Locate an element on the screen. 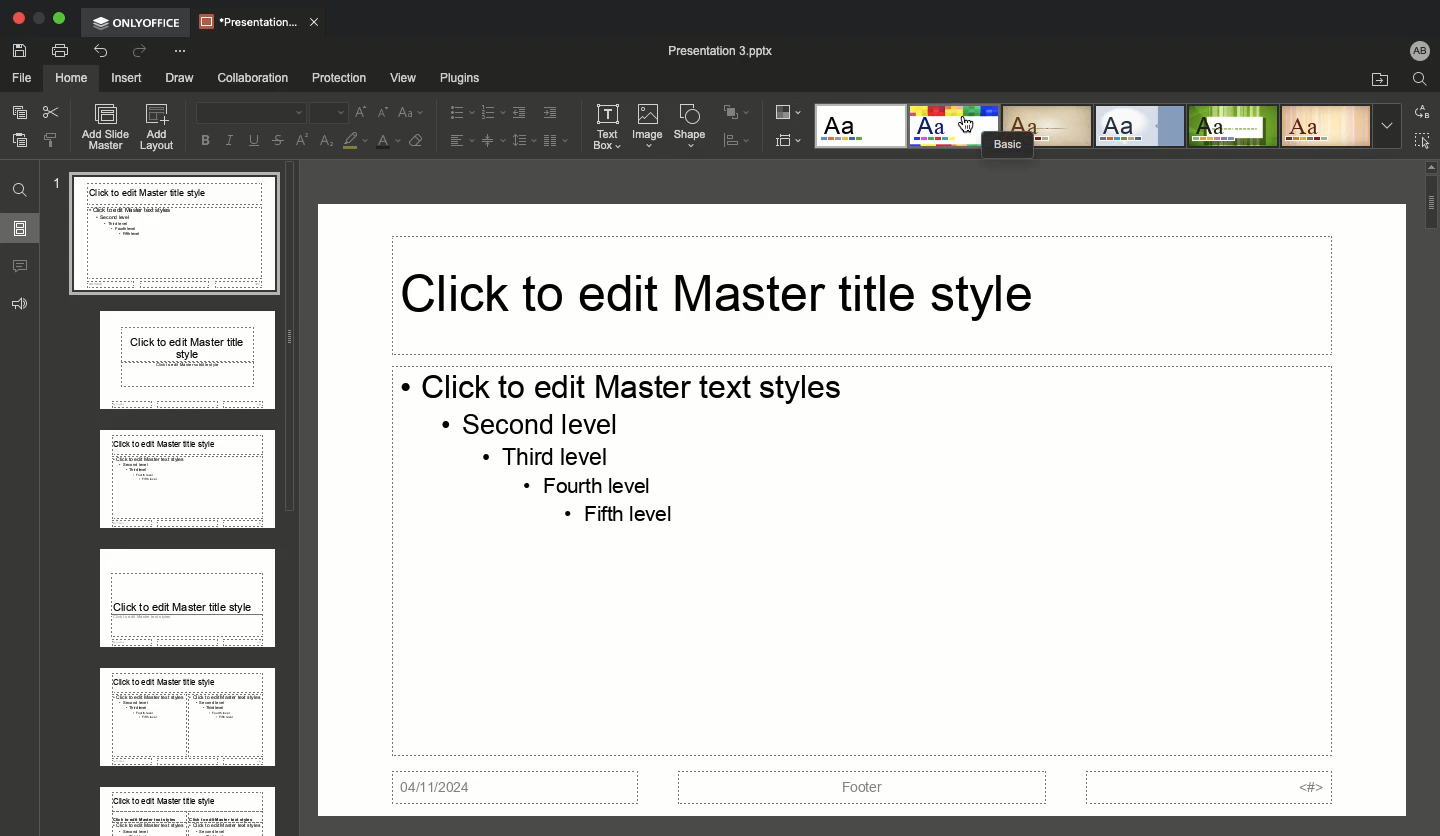 This screenshot has width=1440, height=836. Insert is located at coordinates (126, 76).